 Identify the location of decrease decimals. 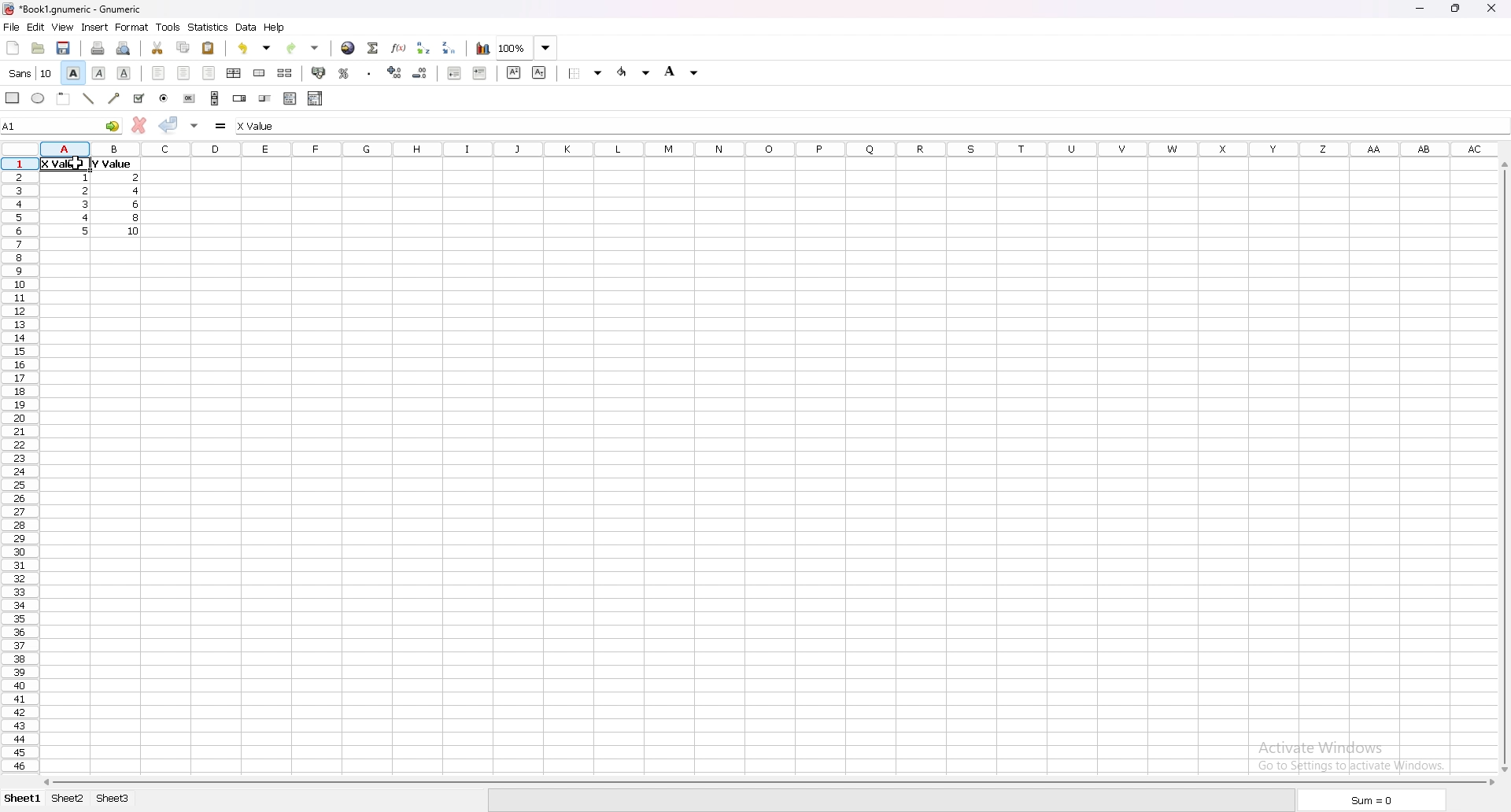
(420, 73).